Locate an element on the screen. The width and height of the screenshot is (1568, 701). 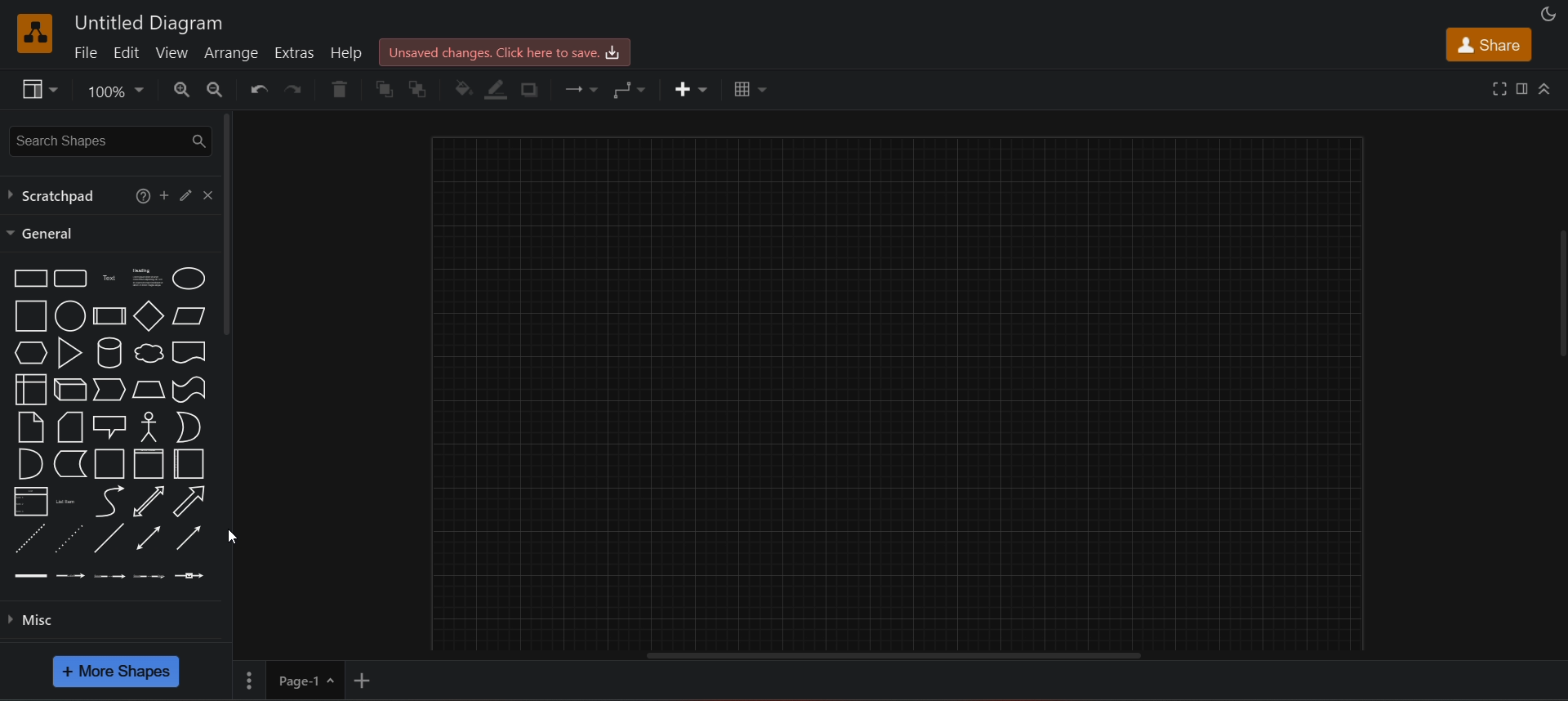
extras is located at coordinates (297, 51).